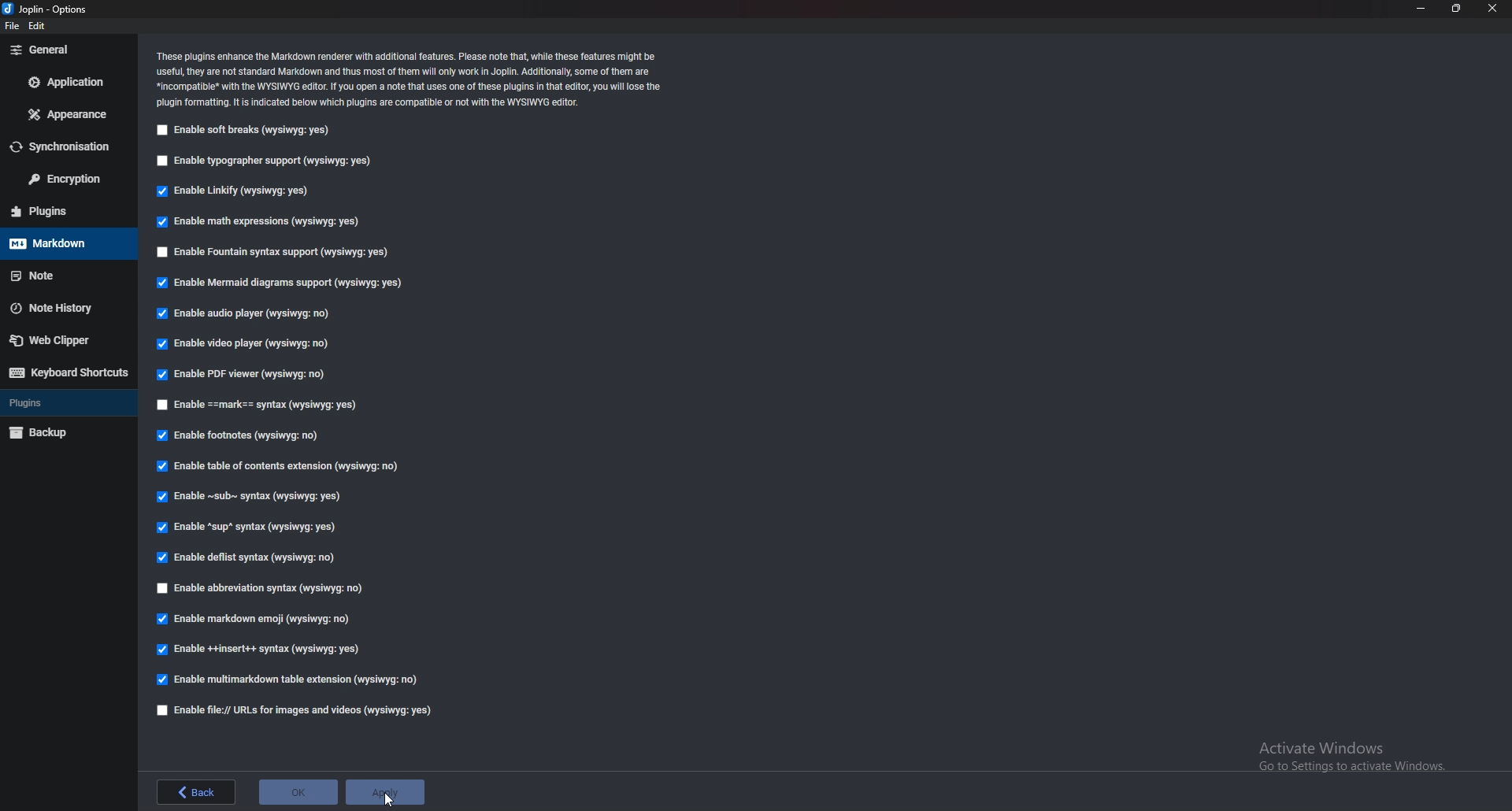 The width and height of the screenshot is (1512, 811). Describe the element at coordinates (243, 435) in the screenshot. I see `Enable footnotes` at that location.